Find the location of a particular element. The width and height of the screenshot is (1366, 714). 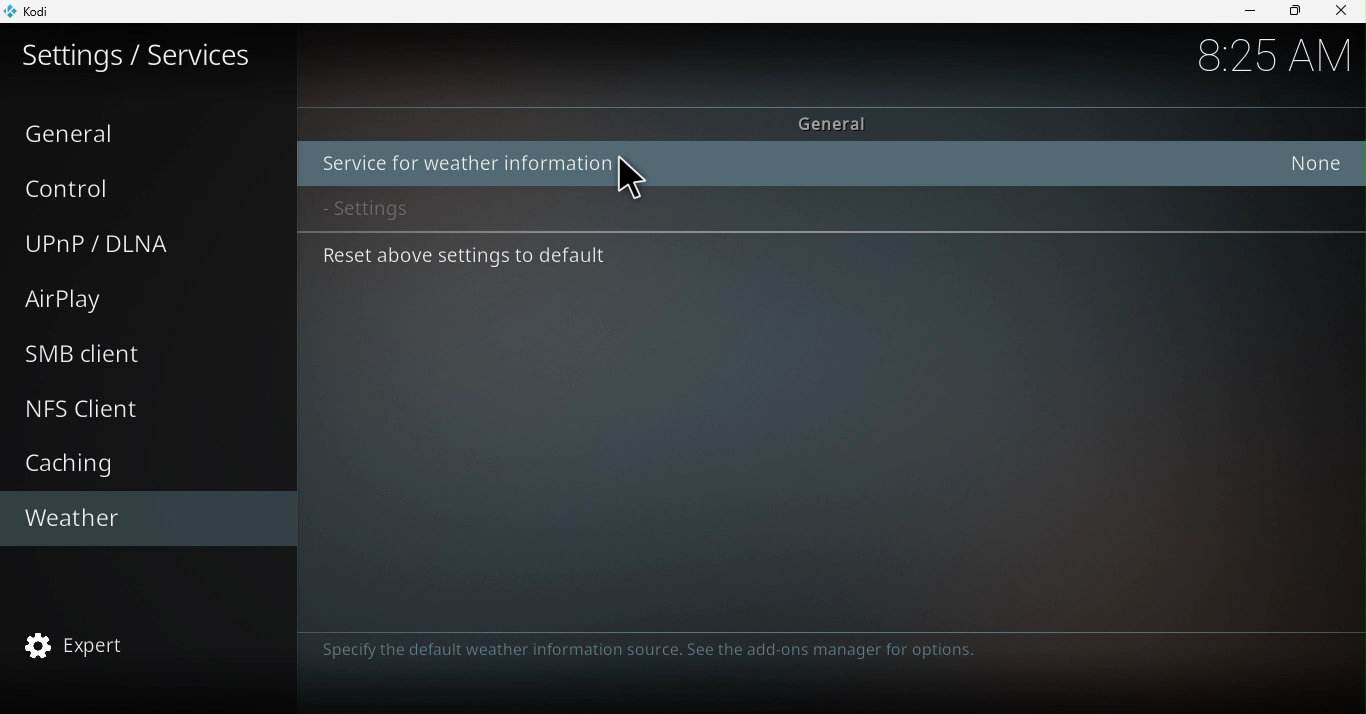

cursor is located at coordinates (629, 182).